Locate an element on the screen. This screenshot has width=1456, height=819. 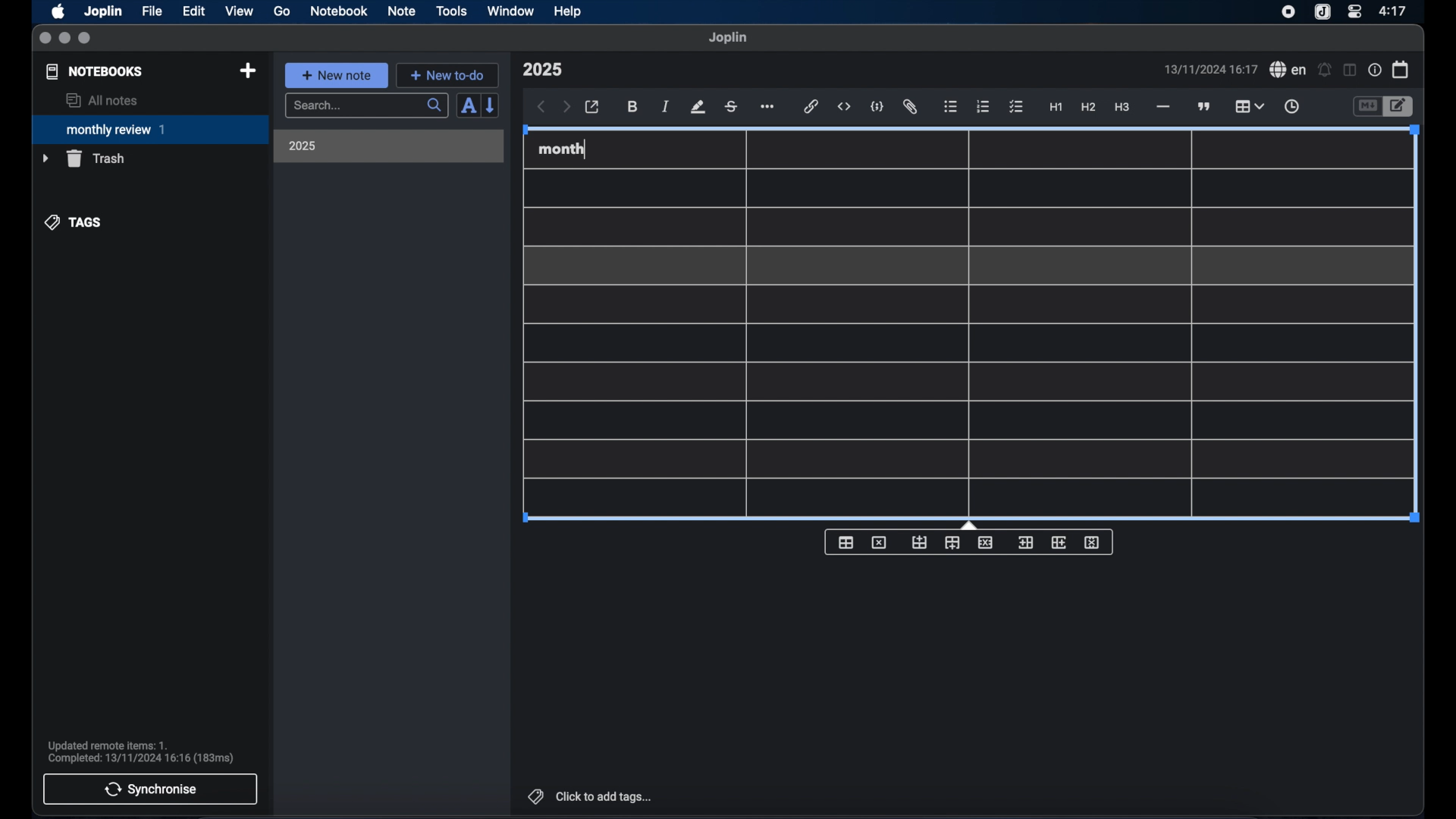
insert time is located at coordinates (1291, 107).